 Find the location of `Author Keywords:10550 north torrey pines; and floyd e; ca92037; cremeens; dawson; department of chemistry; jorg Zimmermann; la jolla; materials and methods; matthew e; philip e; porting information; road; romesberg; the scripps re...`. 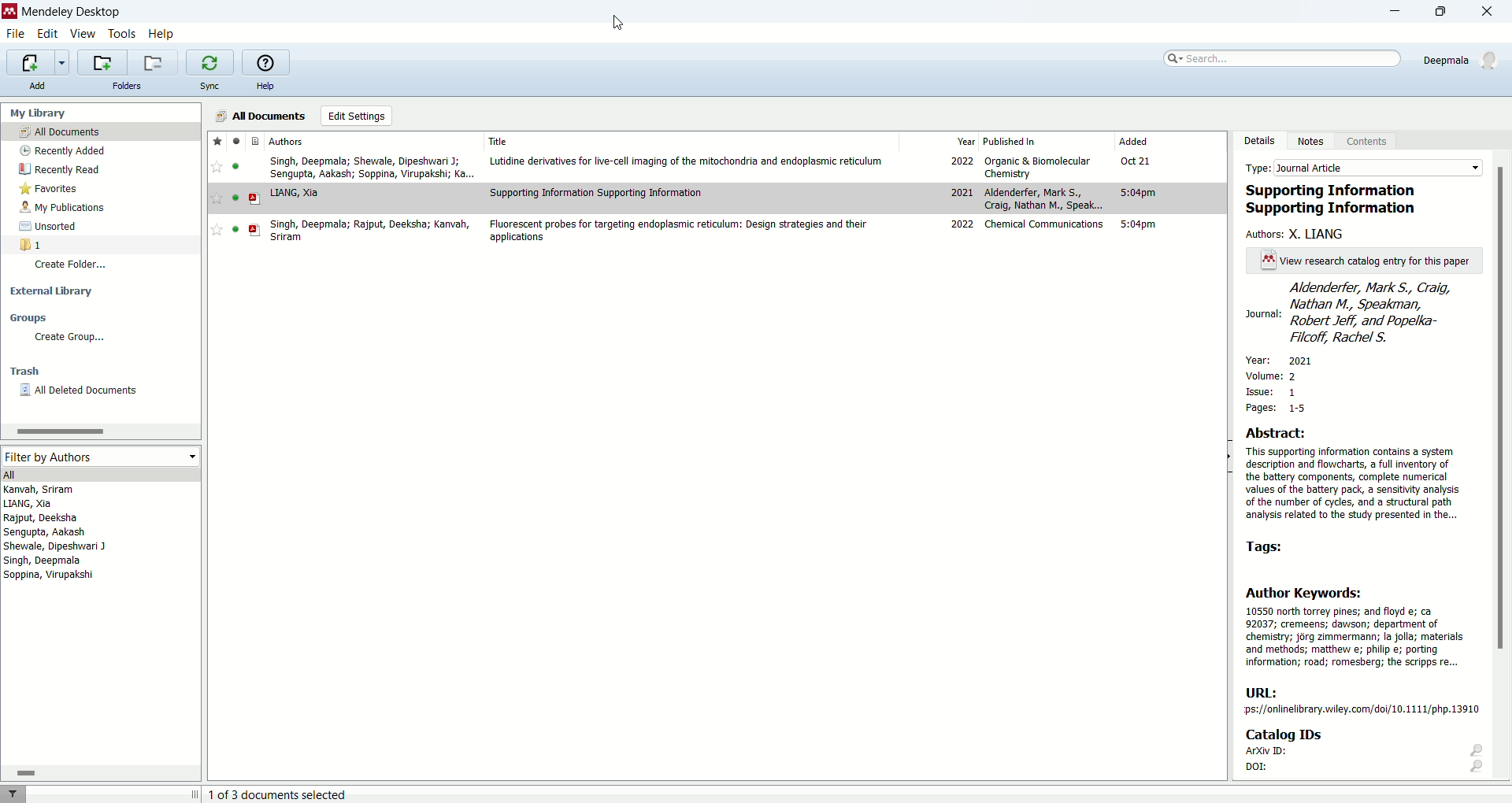

Author Keywords:10550 north torrey pines; and floyd e; ca92037; cremeens; dawson; department of chemistry; jorg Zimmermann; la jolla; materials and methods; matthew e; philip e; porting information; road; romesberg; the scripps re... is located at coordinates (1355, 627).